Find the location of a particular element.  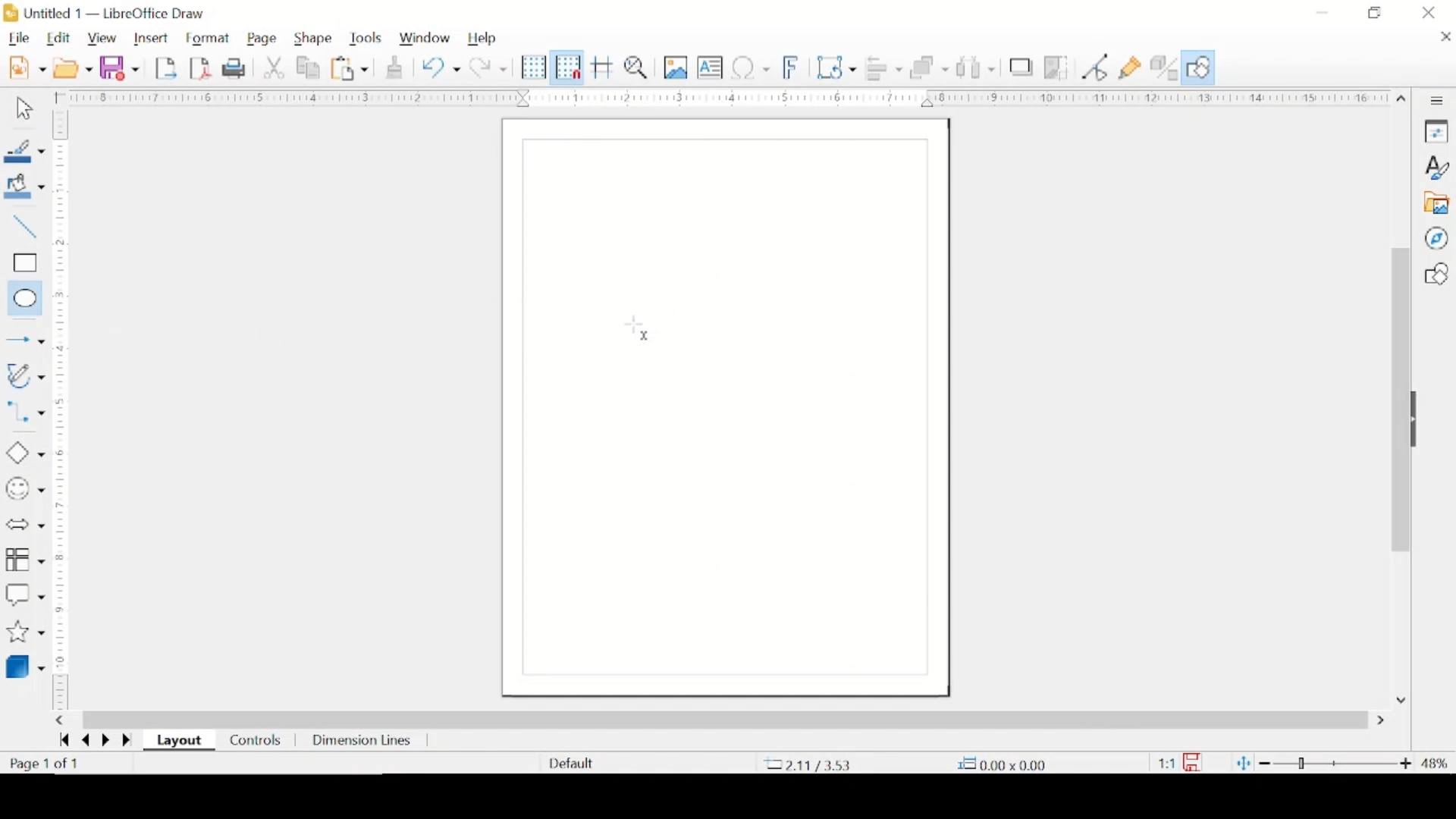

go backward is located at coordinates (61, 742).